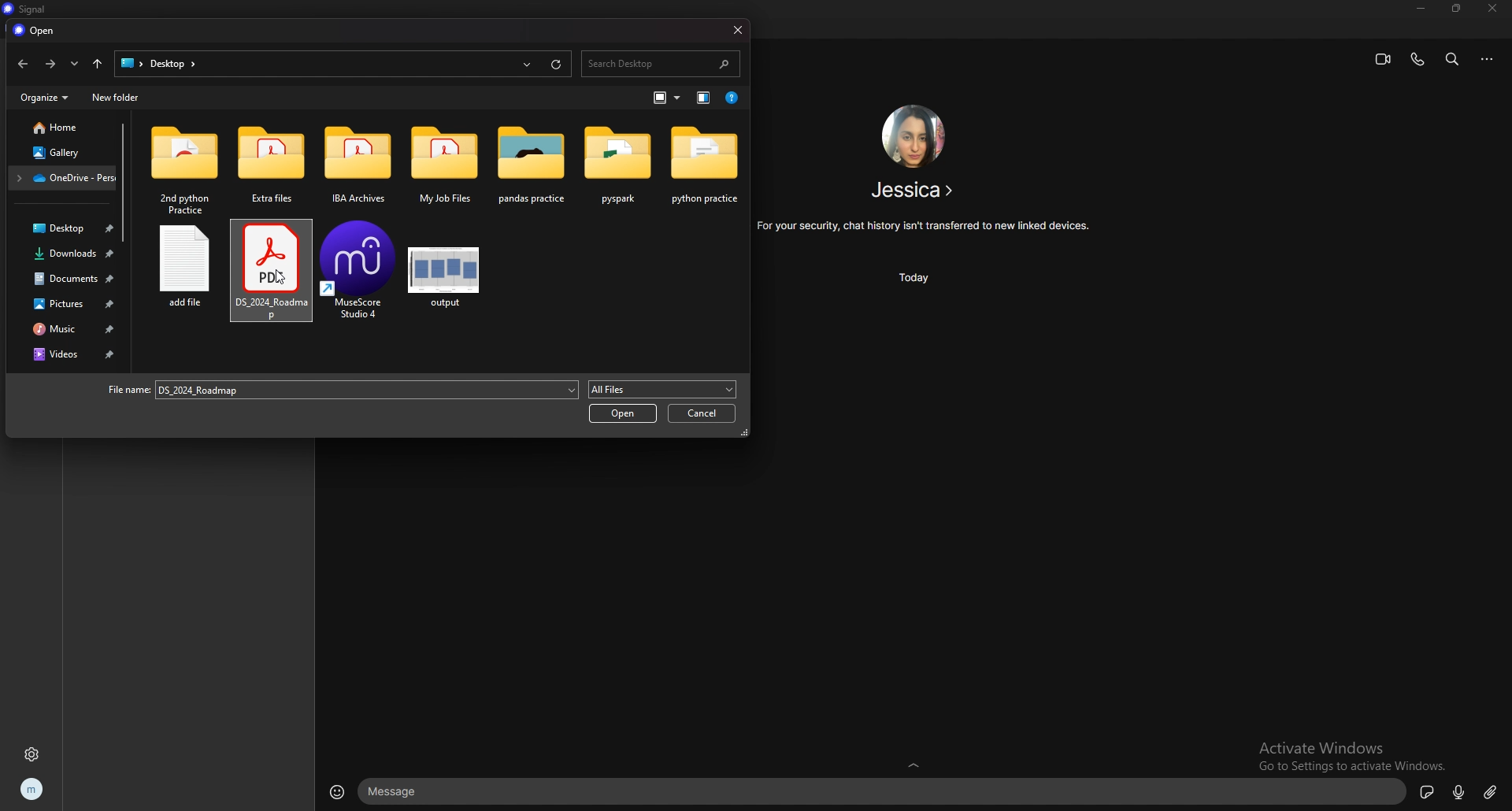 This screenshot has height=811, width=1512. Describe the element at coordinates (66, 304) in the screenshot. I see `pictures` at that location.